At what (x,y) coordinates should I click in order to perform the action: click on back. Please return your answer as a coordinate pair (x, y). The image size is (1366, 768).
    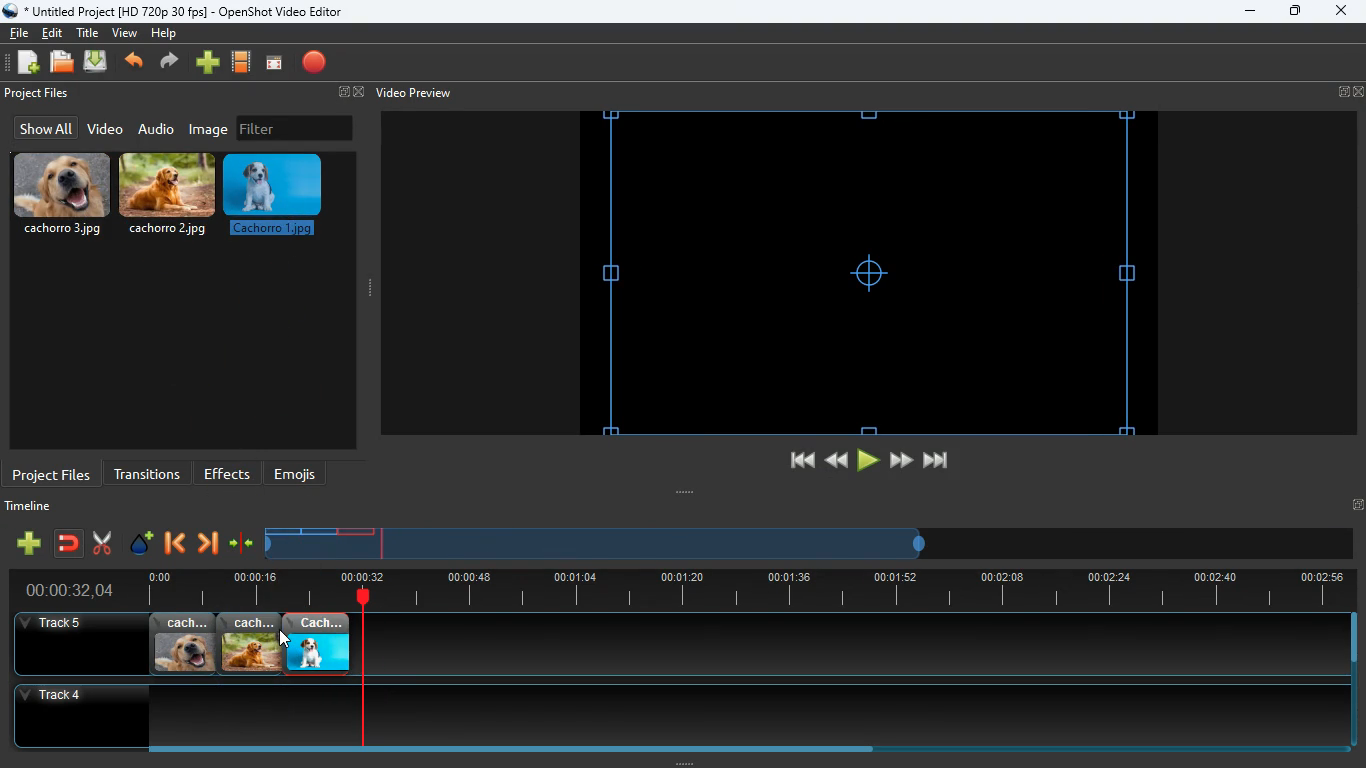
    Looking at the image, I should click on (834, 460).